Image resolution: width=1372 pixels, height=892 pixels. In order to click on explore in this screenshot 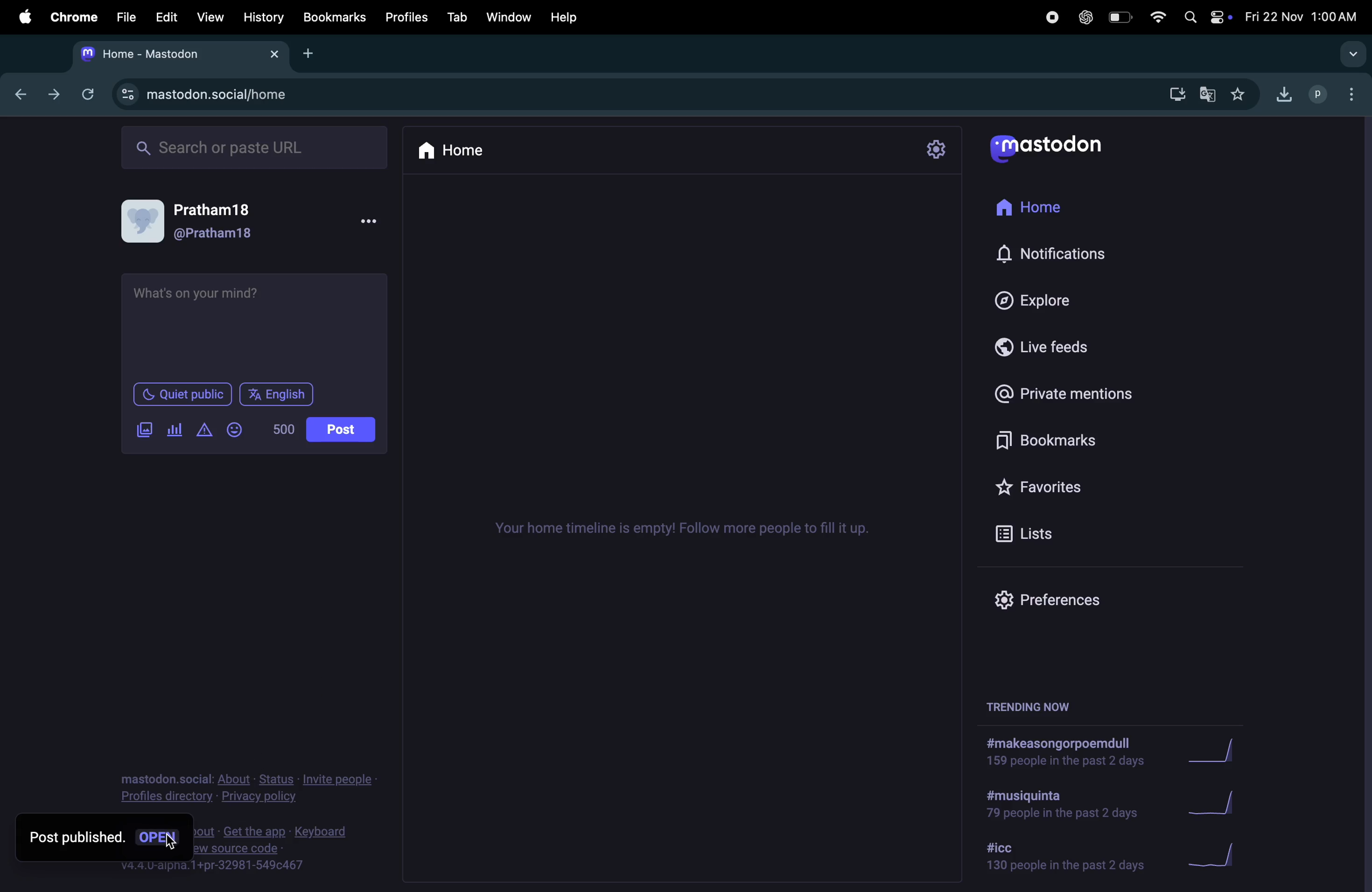, I will do `click(1046, 299)`.